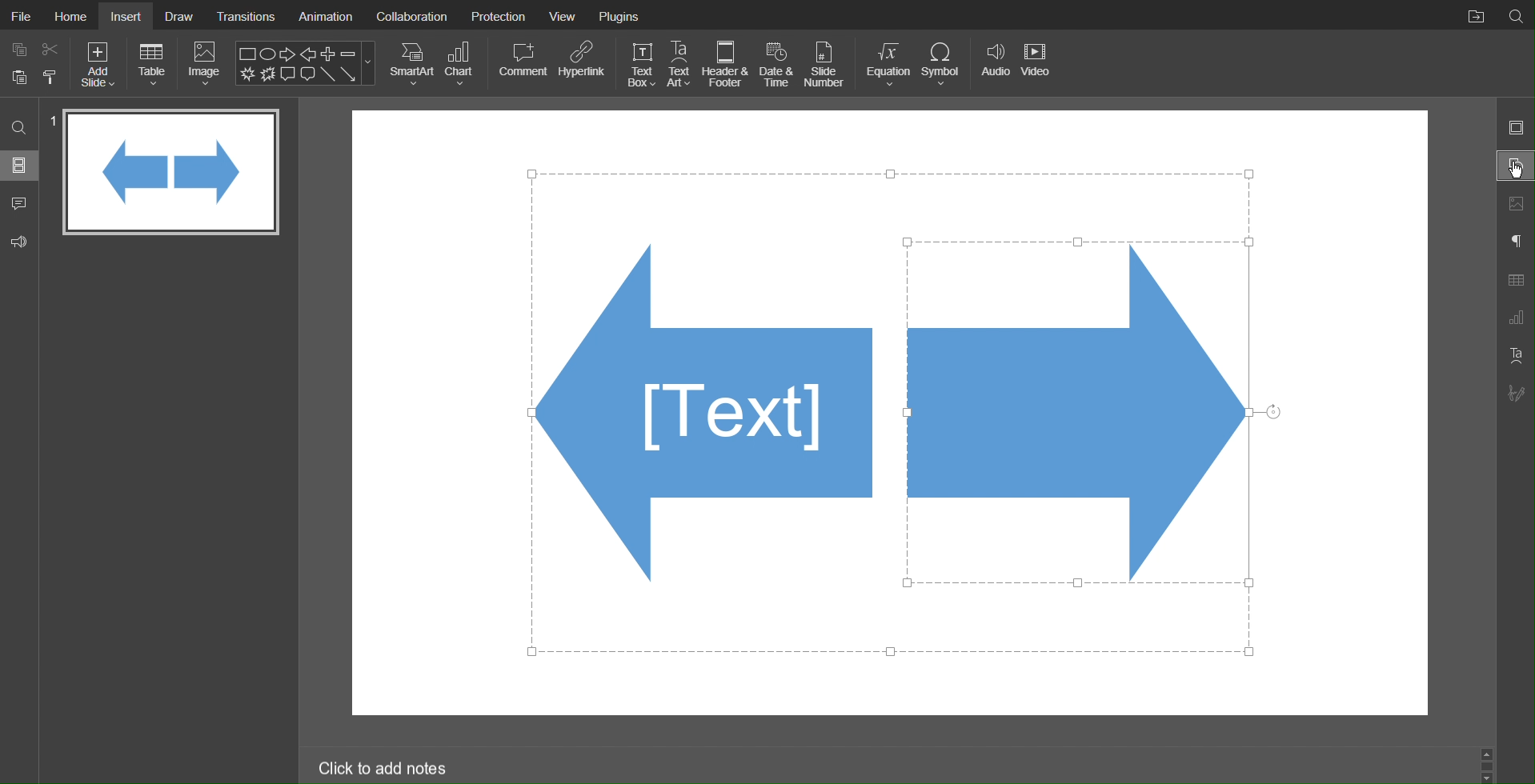 This screenshot has width=1535, height=784. I want to click on Paragraph Settings, so click(1516, 242).